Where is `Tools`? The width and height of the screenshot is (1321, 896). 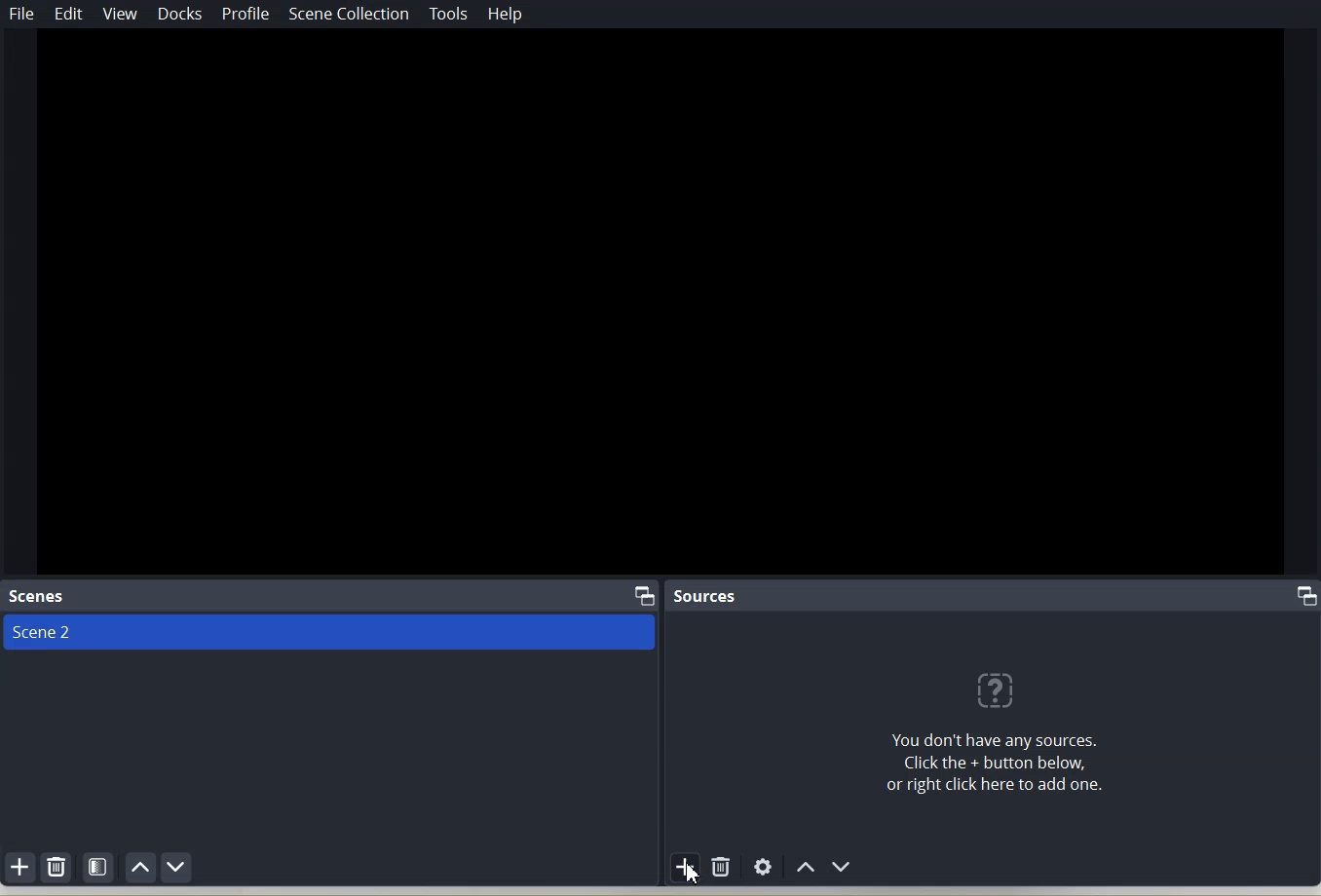 Tools is located at coordinates (450, 13).